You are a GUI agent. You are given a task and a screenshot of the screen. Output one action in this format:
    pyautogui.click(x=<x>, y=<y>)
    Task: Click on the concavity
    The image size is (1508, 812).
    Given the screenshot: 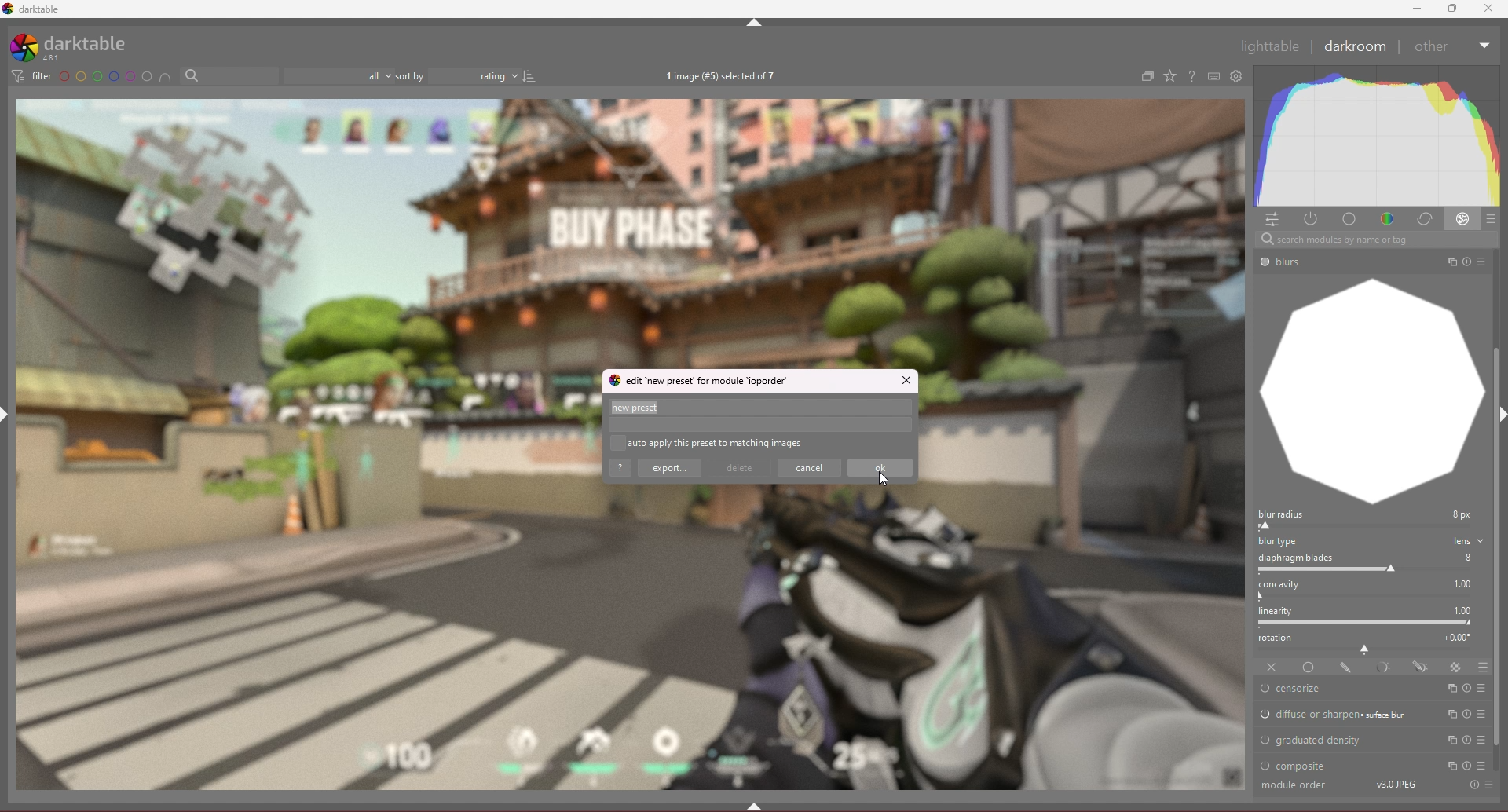 What is the action you would take?
    pyautogui.click(x=1371, y=590)
    